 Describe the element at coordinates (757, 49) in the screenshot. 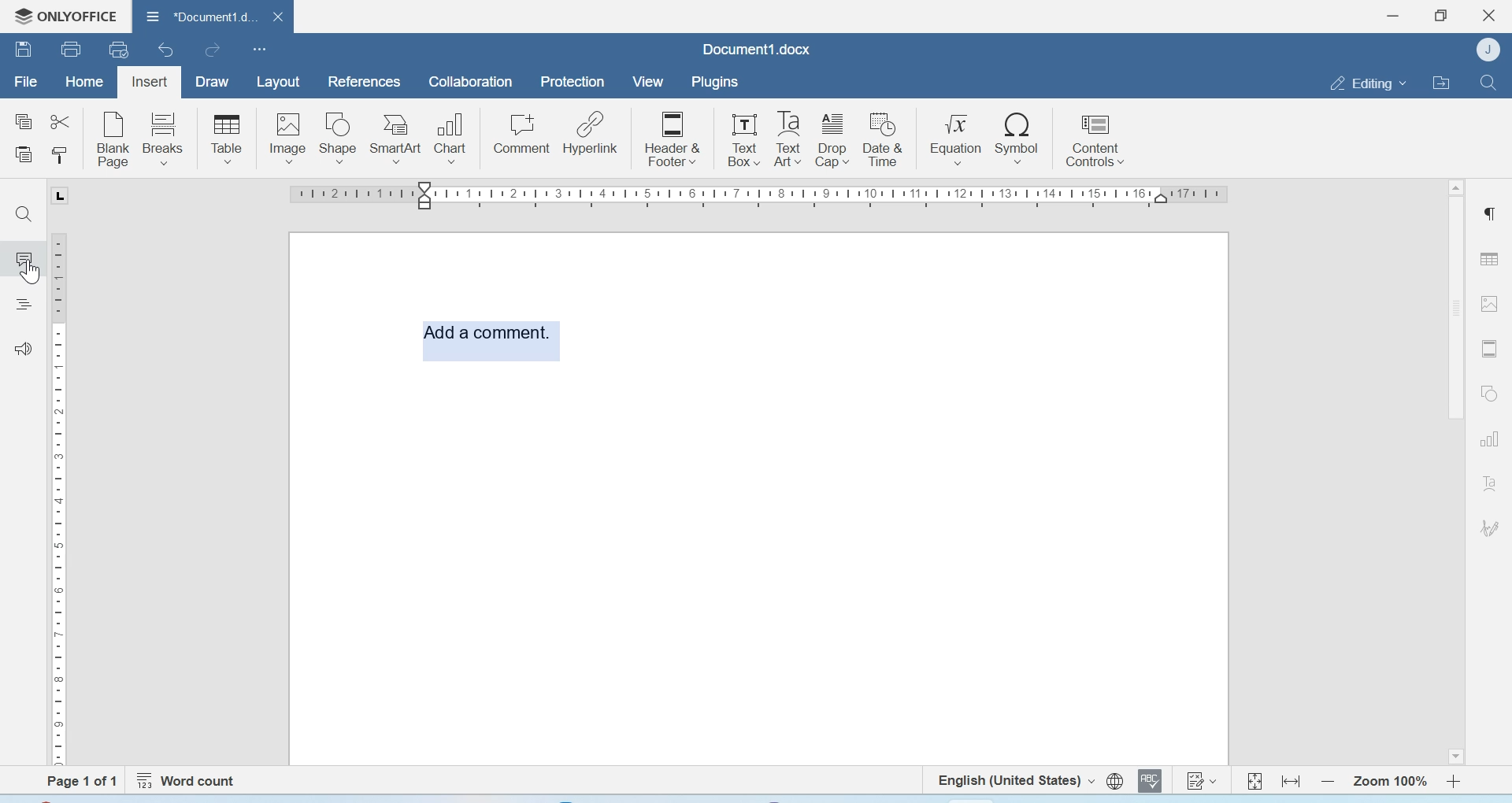

I see `Document1.docx` at that location.